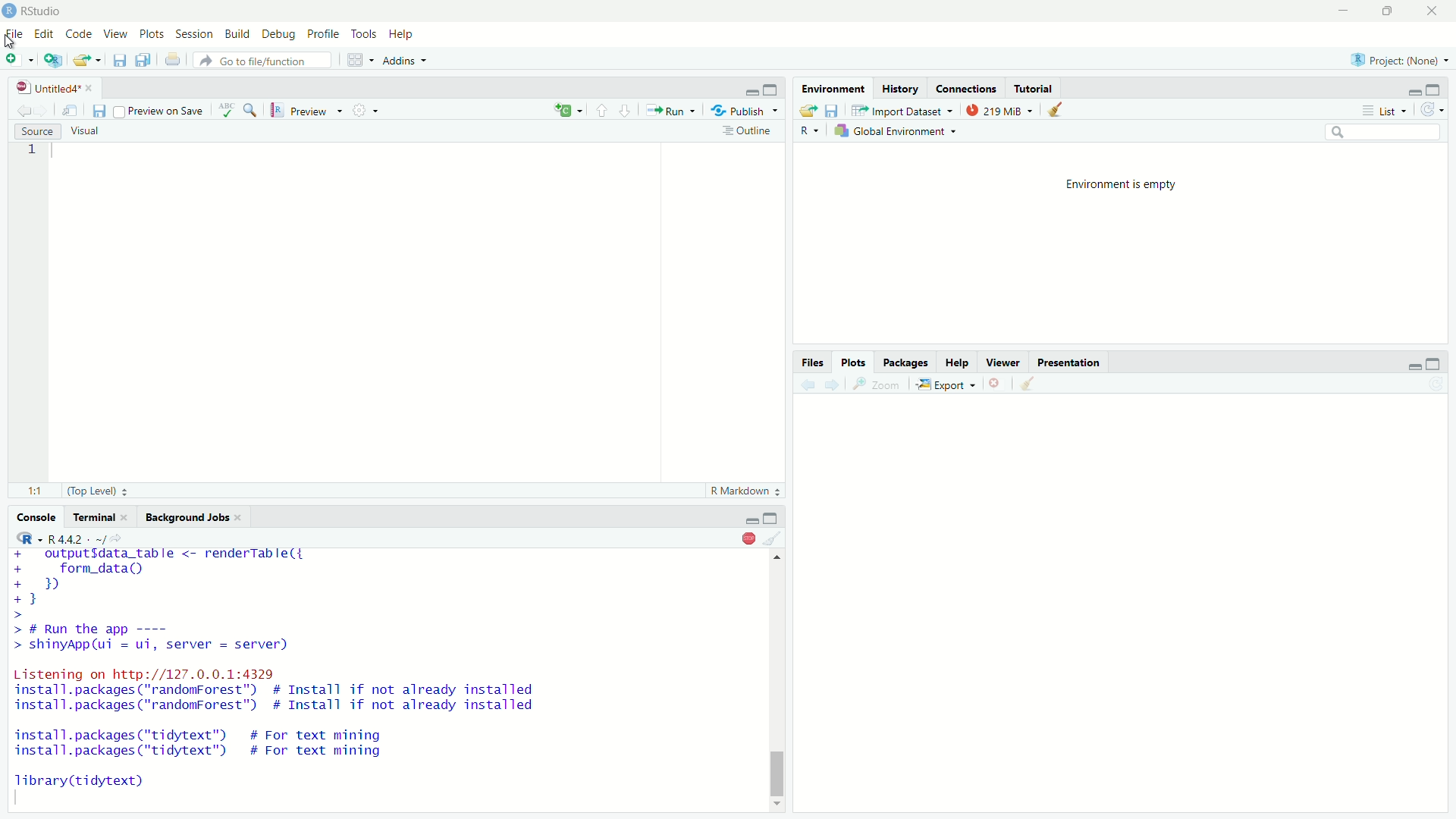 This screenshot has height=819, width=1456. Describe the element at coordinates (119, 60) in the screenshot. I see `save current document` at that location.